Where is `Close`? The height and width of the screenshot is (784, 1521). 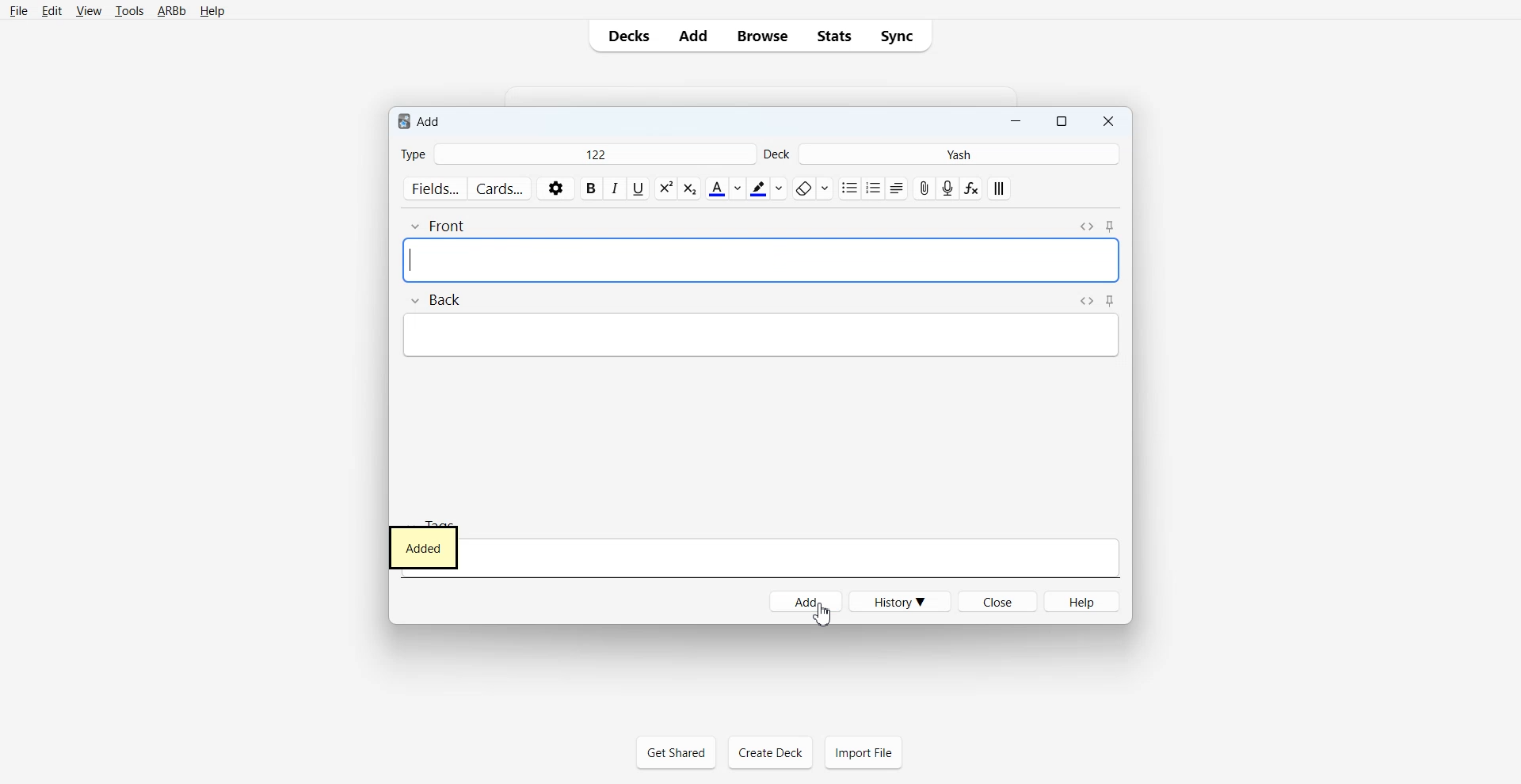
Close is located at coordinates (1107, 121).